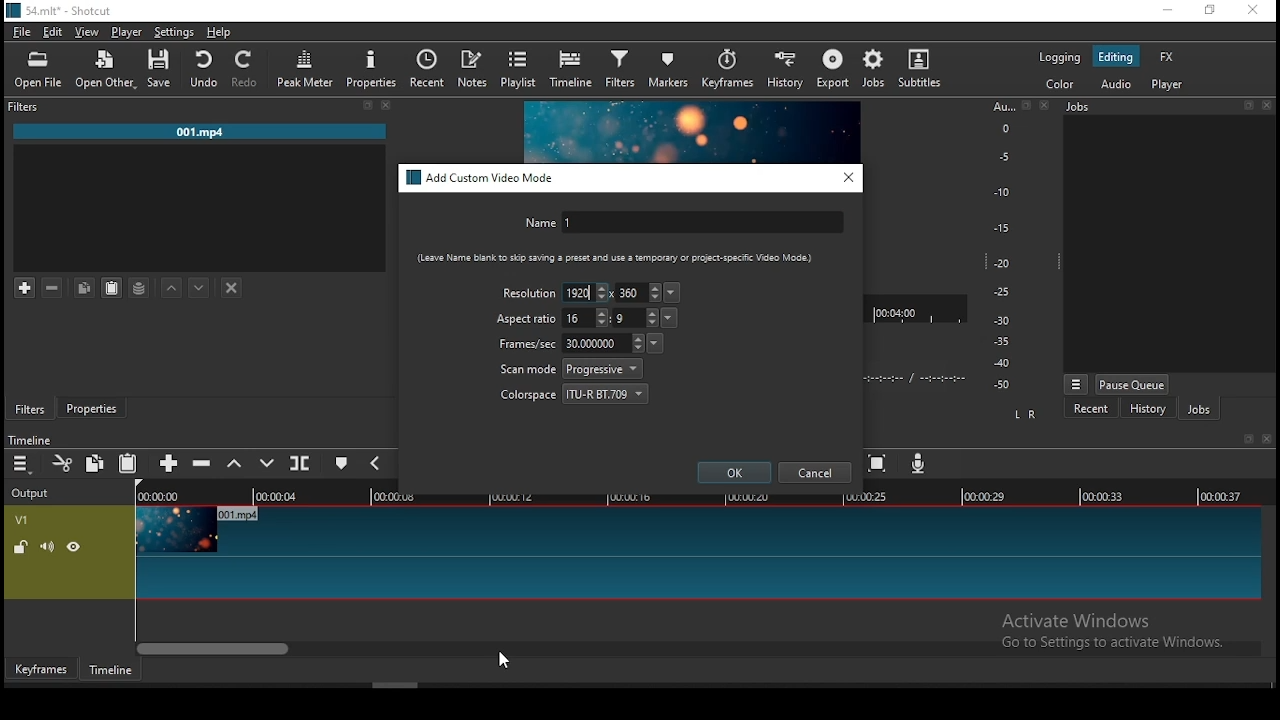 The height and width of the screenshot is (720, 1280). Describe the element at coordinates (515, 496) in the screenshot. I see `00:00:12` at that location.